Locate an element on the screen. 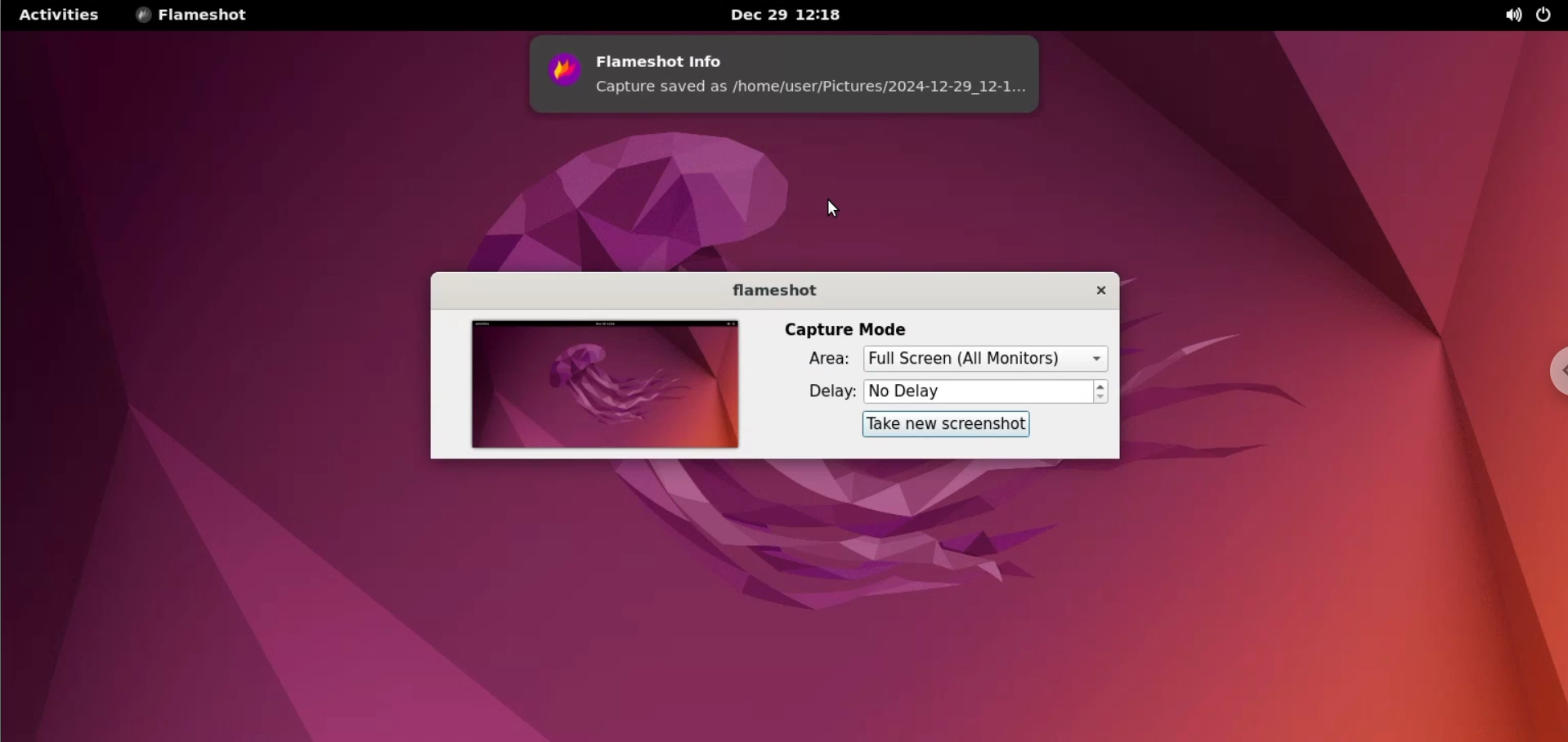 The image size is (1568, 742). delay time is located at coordinates (978, 391).